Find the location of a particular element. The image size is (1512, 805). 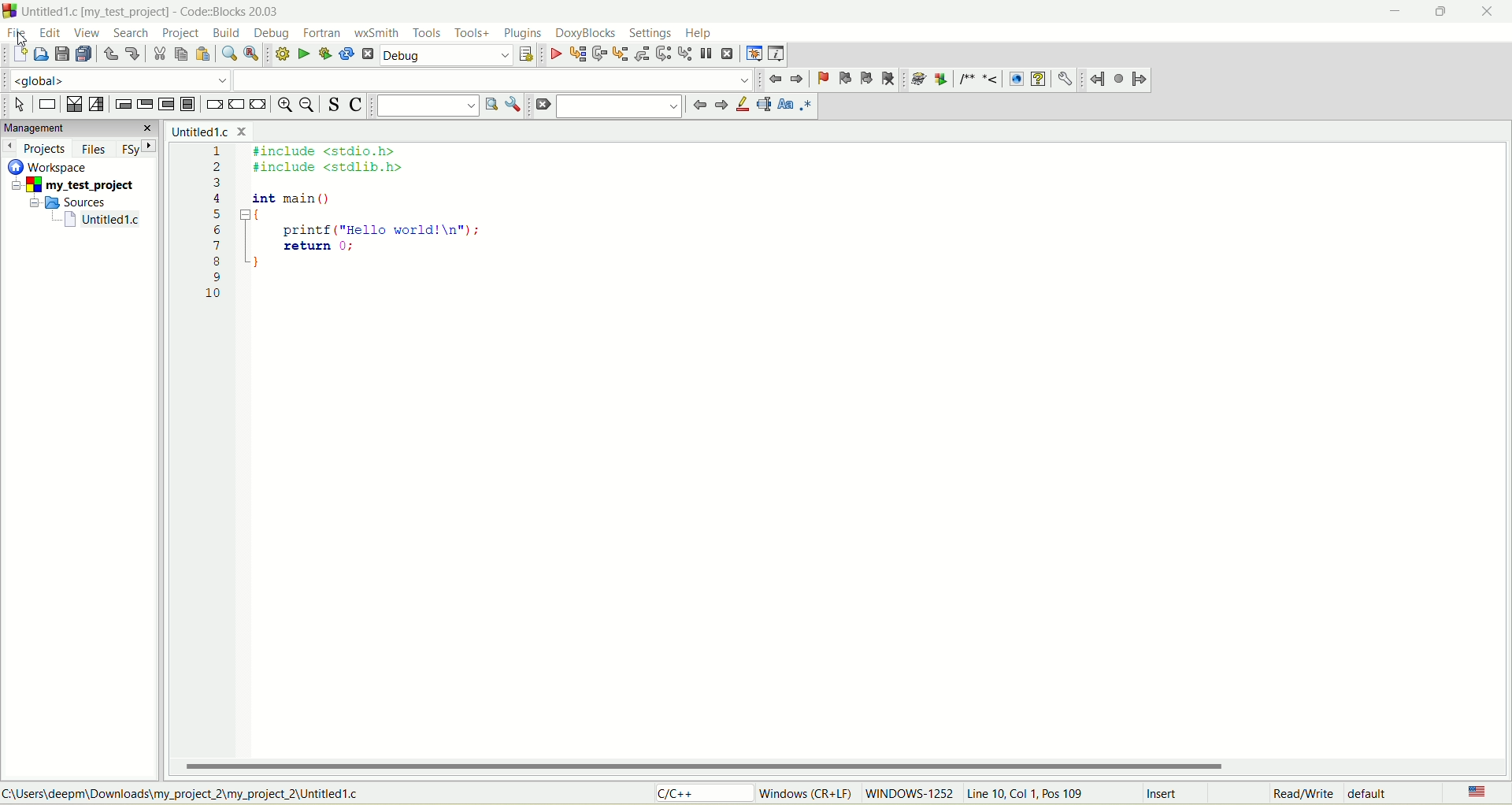

debugging is located at coordinates (754, 54).